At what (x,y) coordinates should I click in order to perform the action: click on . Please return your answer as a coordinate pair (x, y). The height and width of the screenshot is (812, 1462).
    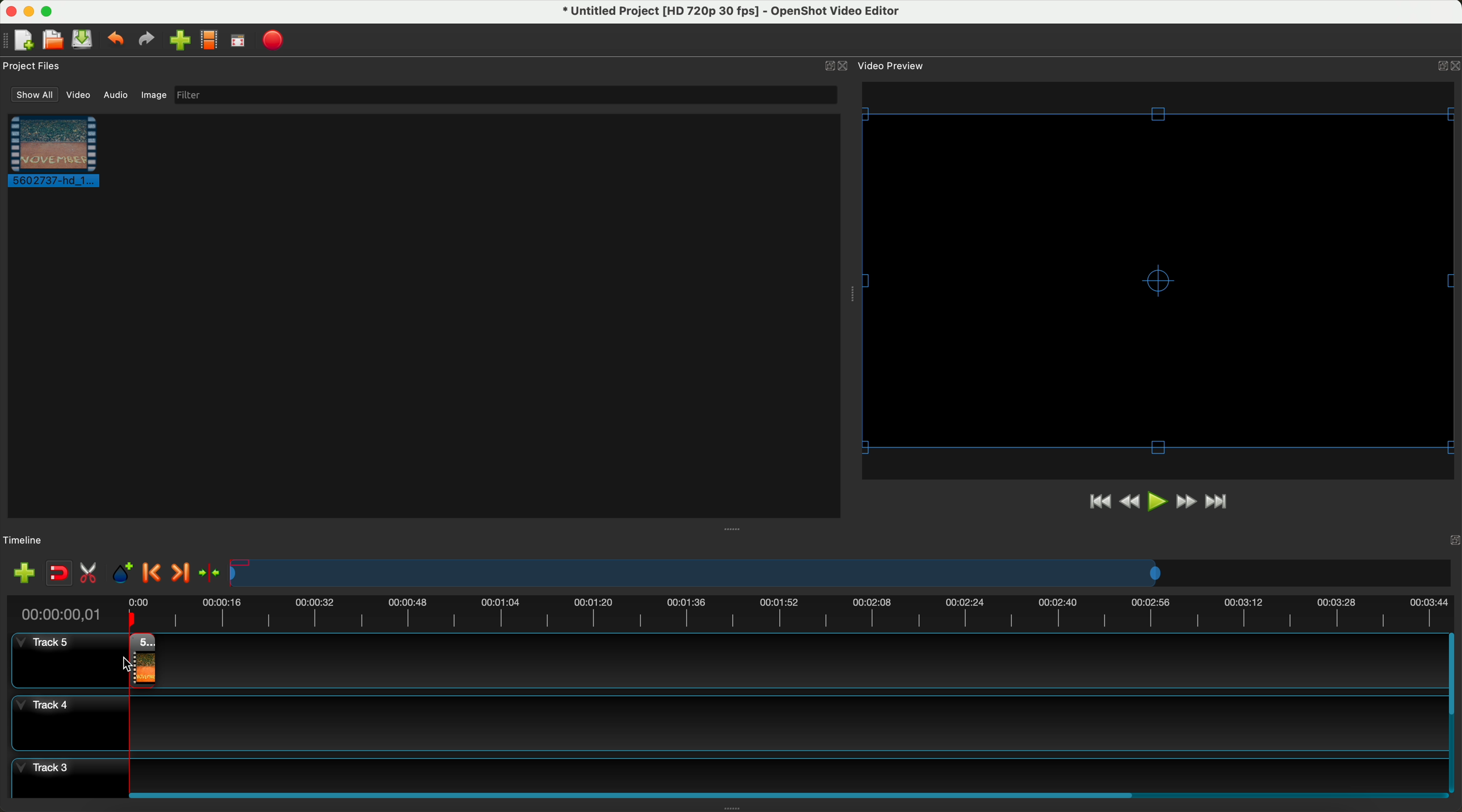
    Looking at the image, I should click on (851, 292).